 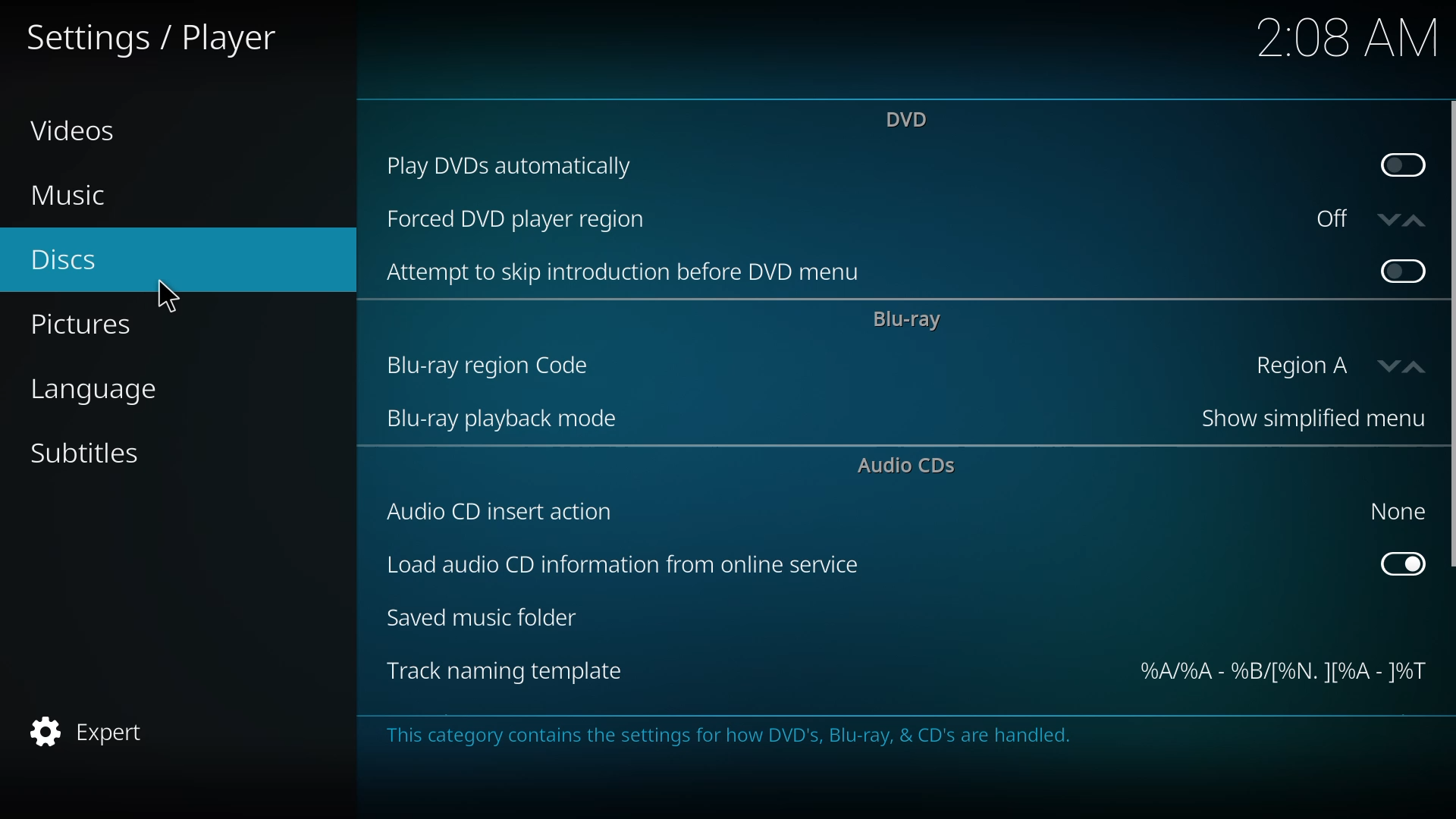 What do you see at coordinates (83, 326) in the screenshot?
I see `pictures` at bounding box center [83, 326].